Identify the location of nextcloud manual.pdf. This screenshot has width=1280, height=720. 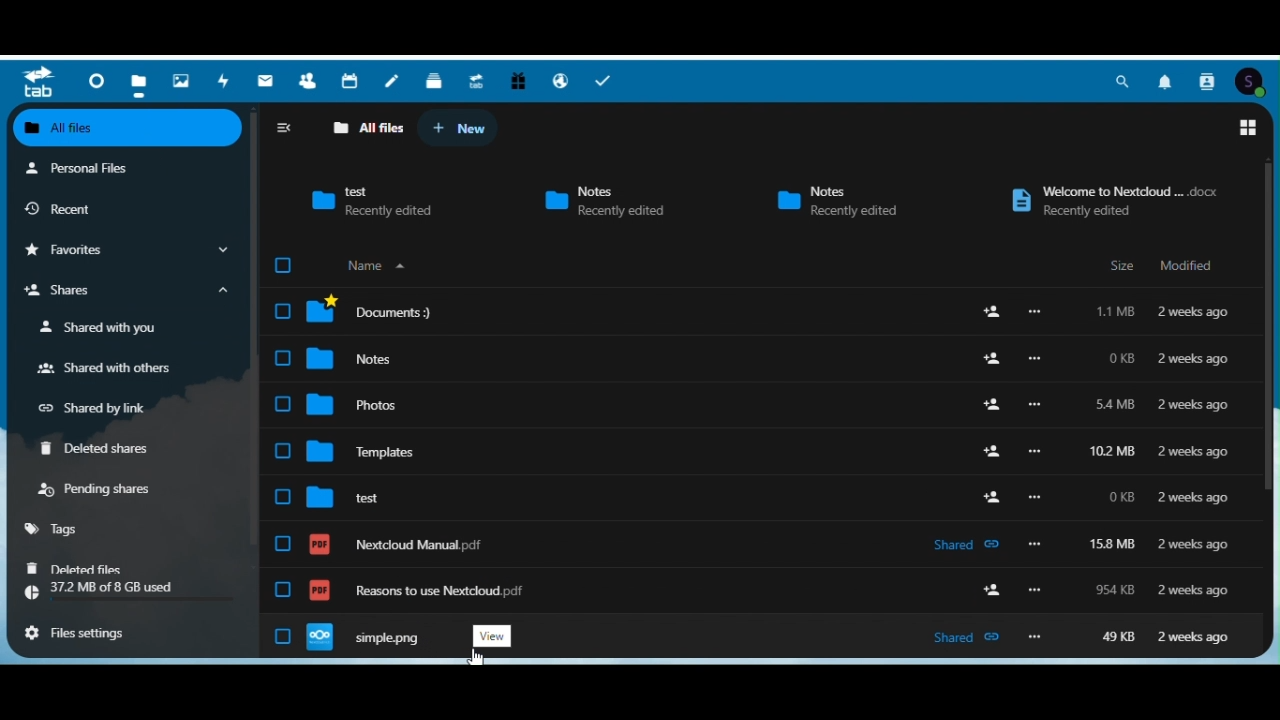
(397, 544).